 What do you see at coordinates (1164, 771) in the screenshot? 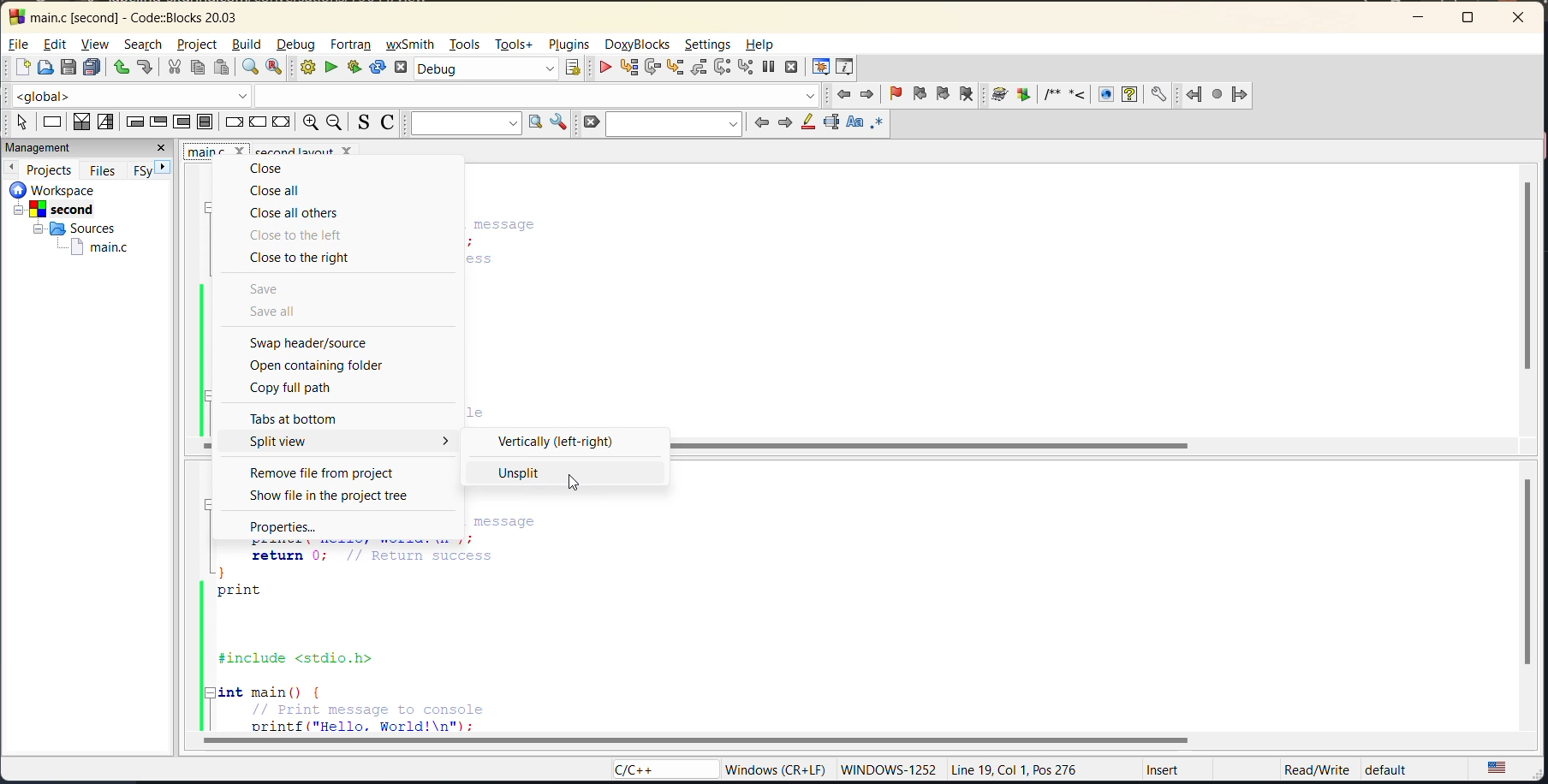
I see `Insert` at bounding box center [1164, 771].